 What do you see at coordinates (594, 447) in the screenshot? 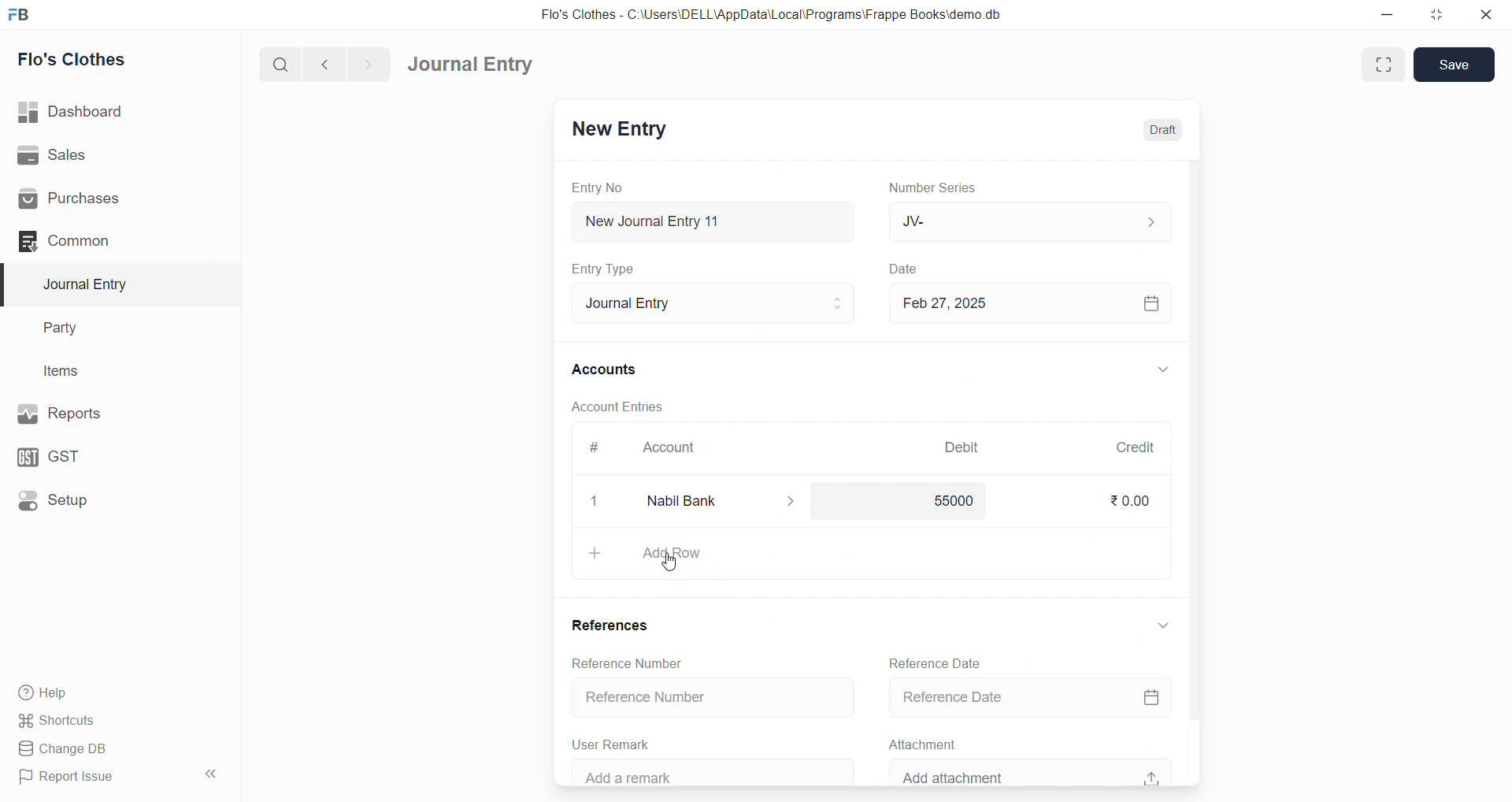
I see `#` at bounding box center [594, 447].